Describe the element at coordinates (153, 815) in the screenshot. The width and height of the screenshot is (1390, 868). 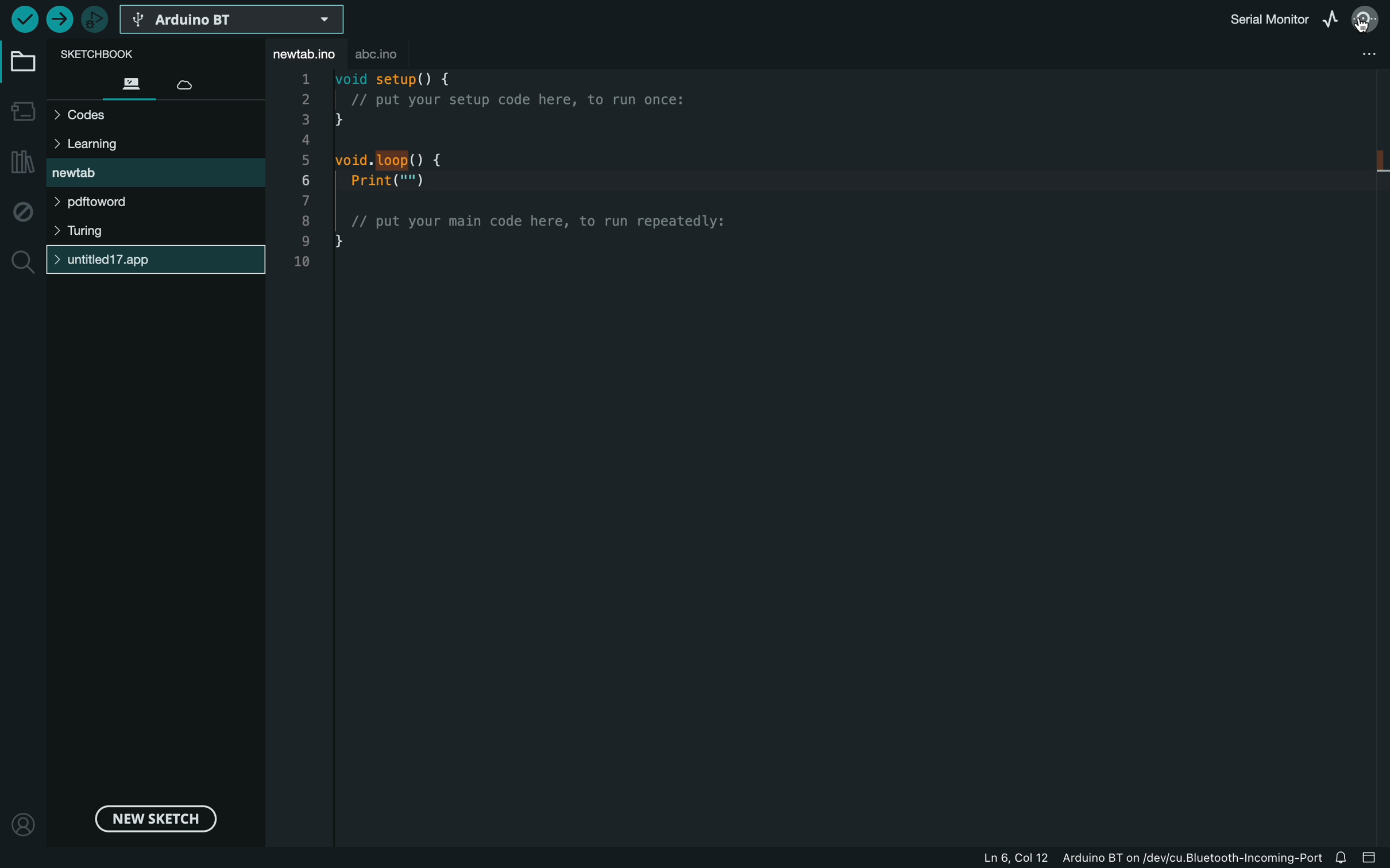
I see `new sketch` at that location.